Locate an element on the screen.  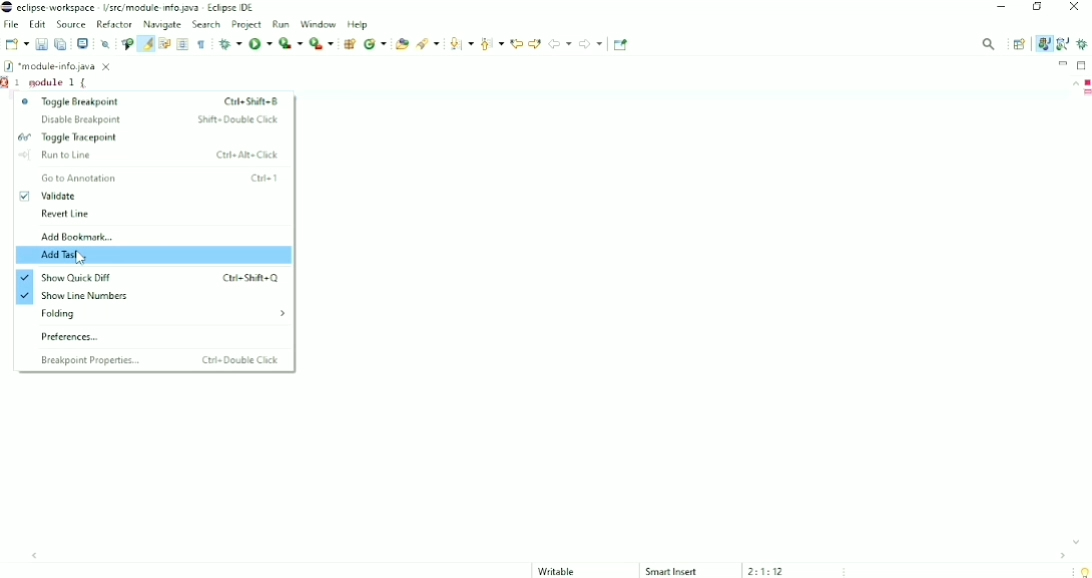
Toggle breadcrumb is located at coordinates (126, 44).